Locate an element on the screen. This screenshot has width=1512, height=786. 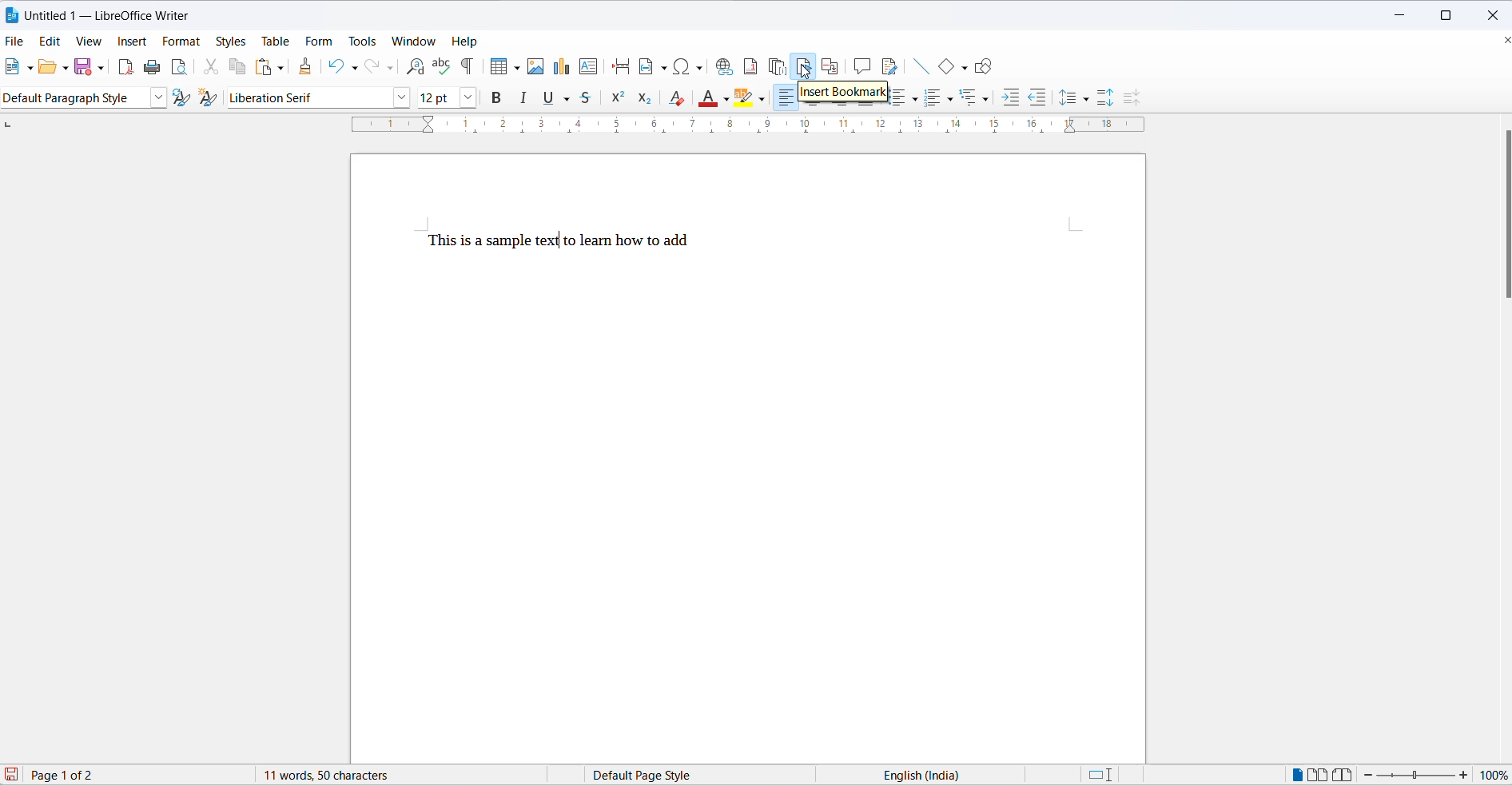
book view is located at coordinates (1343, 774).